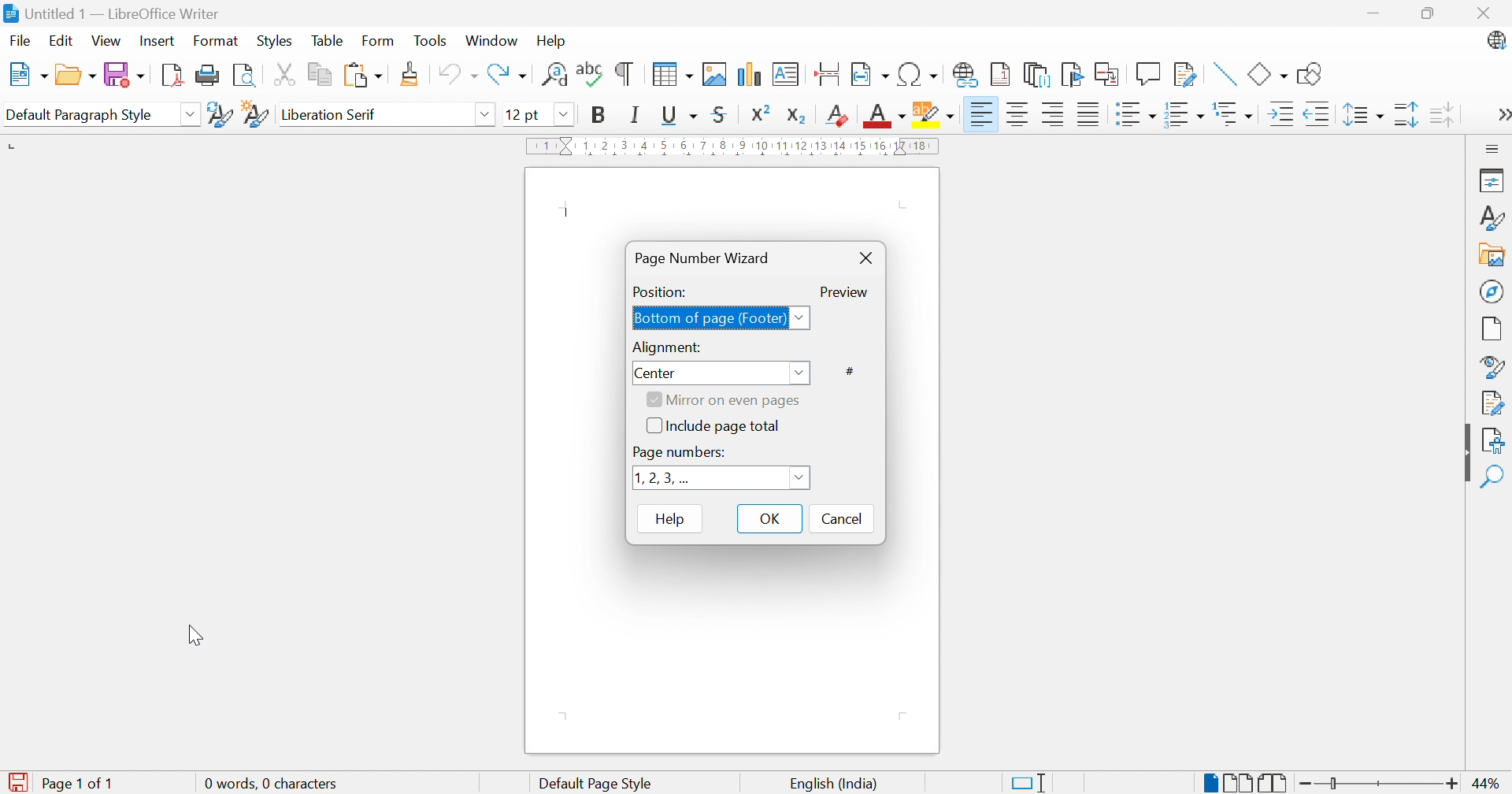  What do you see at coordinates (761, 113) in the screenshot?
I see `Superscript` at bounding box center [761, 113].